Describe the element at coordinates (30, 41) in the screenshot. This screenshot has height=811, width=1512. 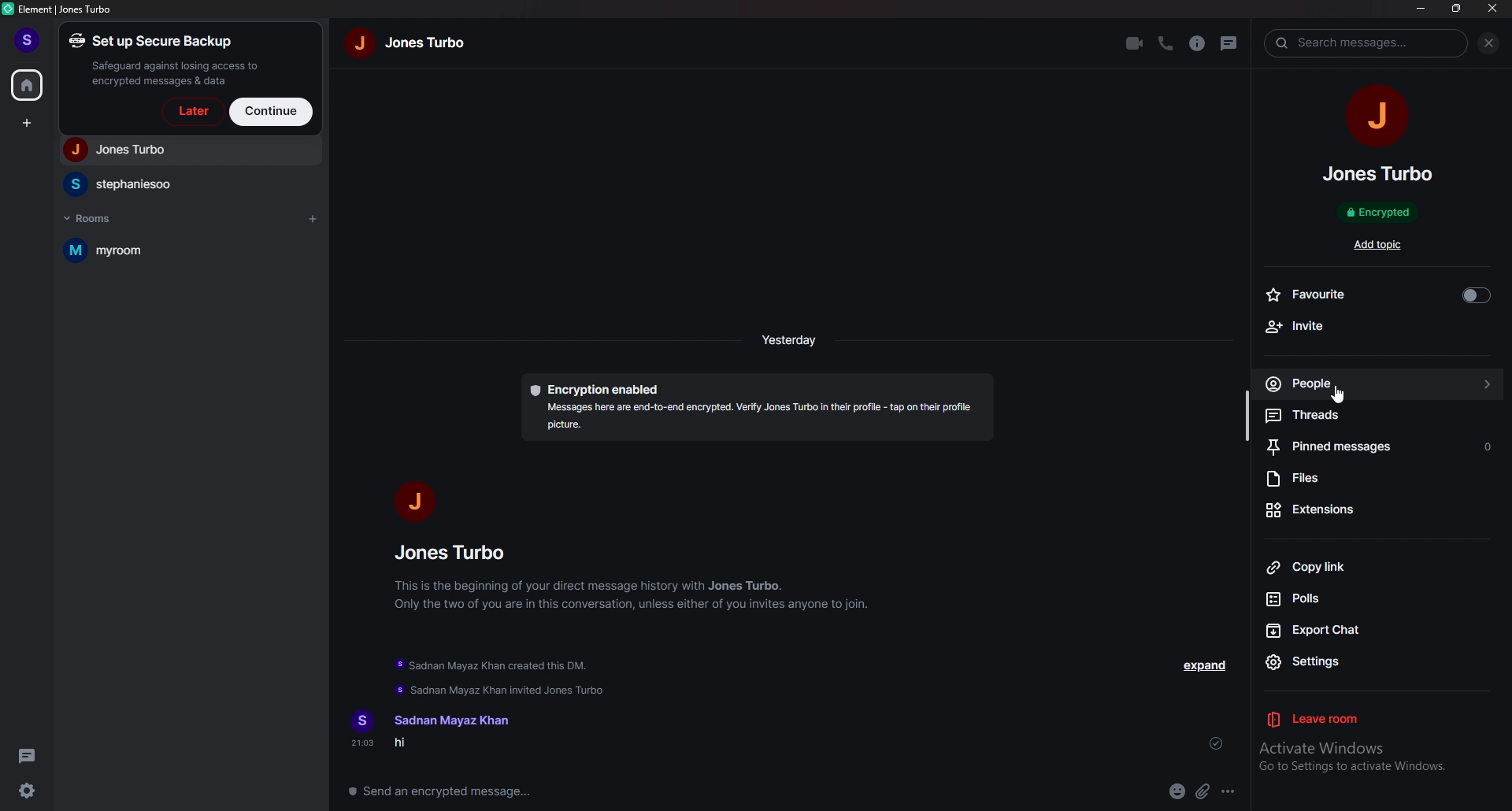
I see `profile` at that location.